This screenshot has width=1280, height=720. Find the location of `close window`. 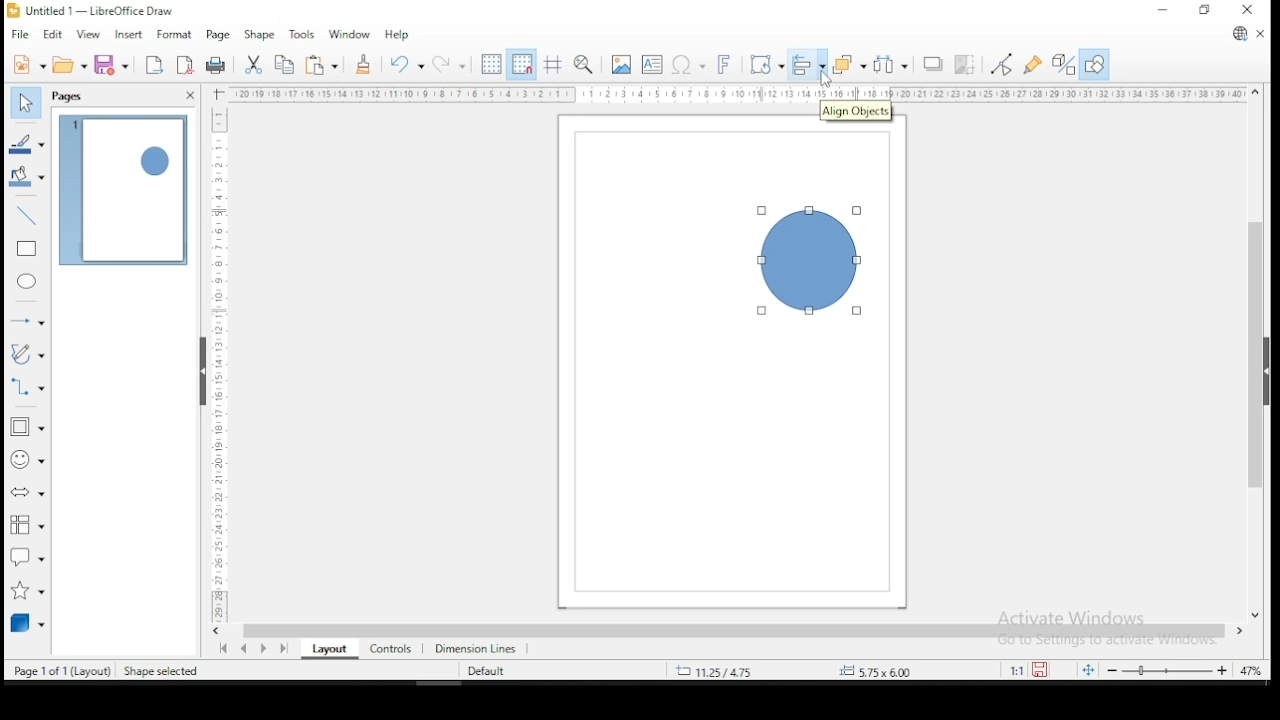

close window is located at coordinates (1249, 10).